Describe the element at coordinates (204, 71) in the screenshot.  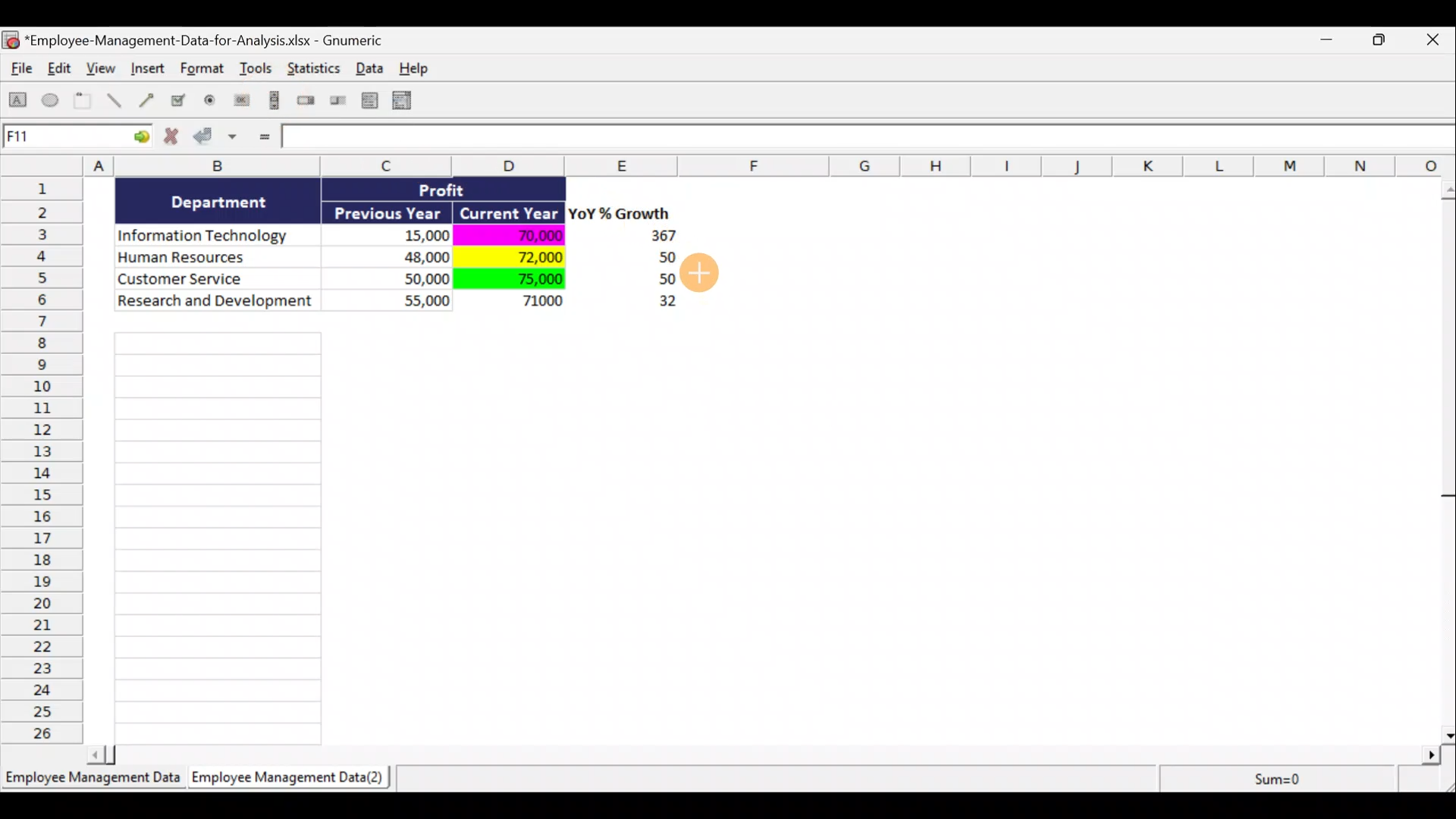
I see `Format` at that location.